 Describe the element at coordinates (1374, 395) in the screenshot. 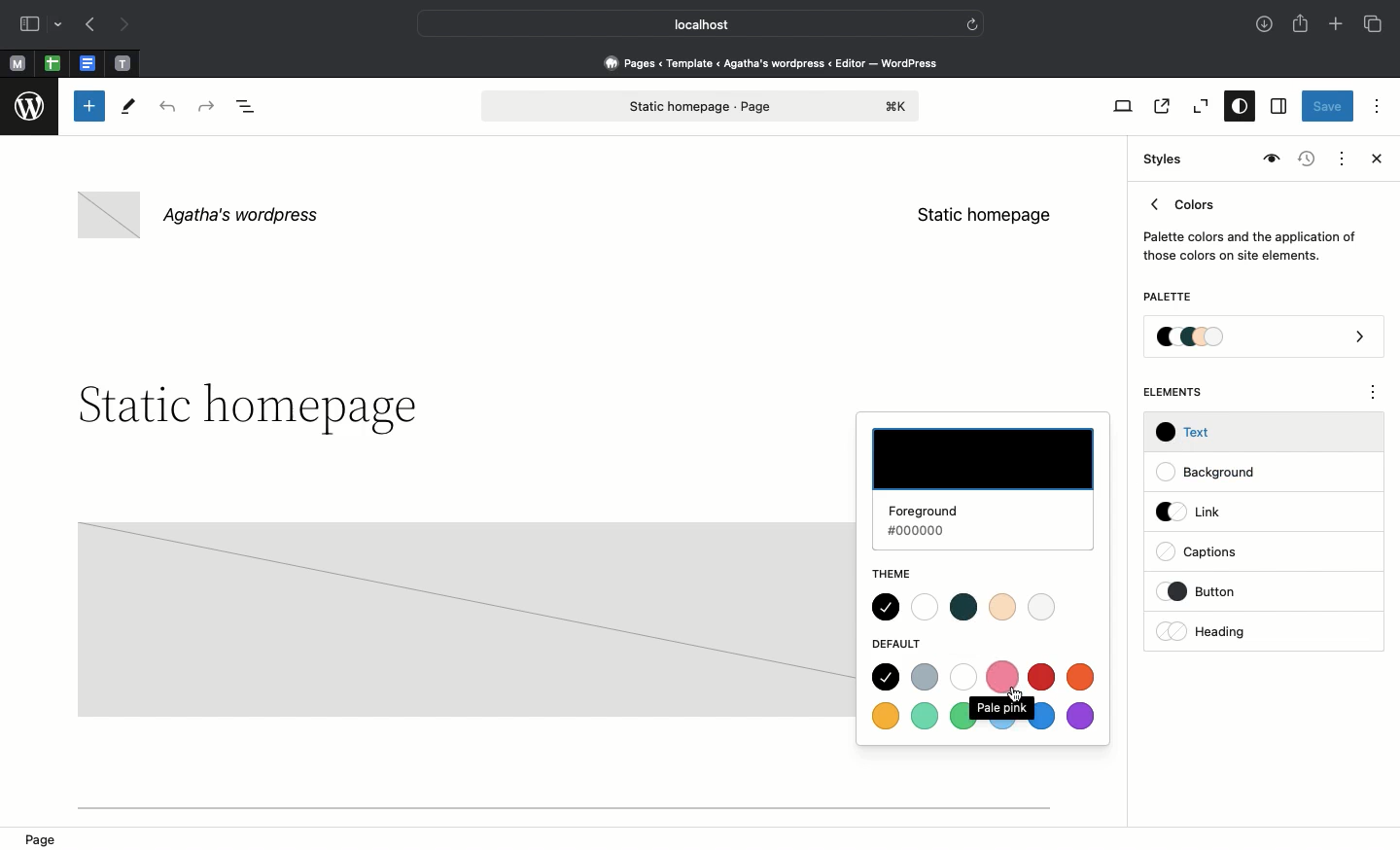

I see `options` at that location.